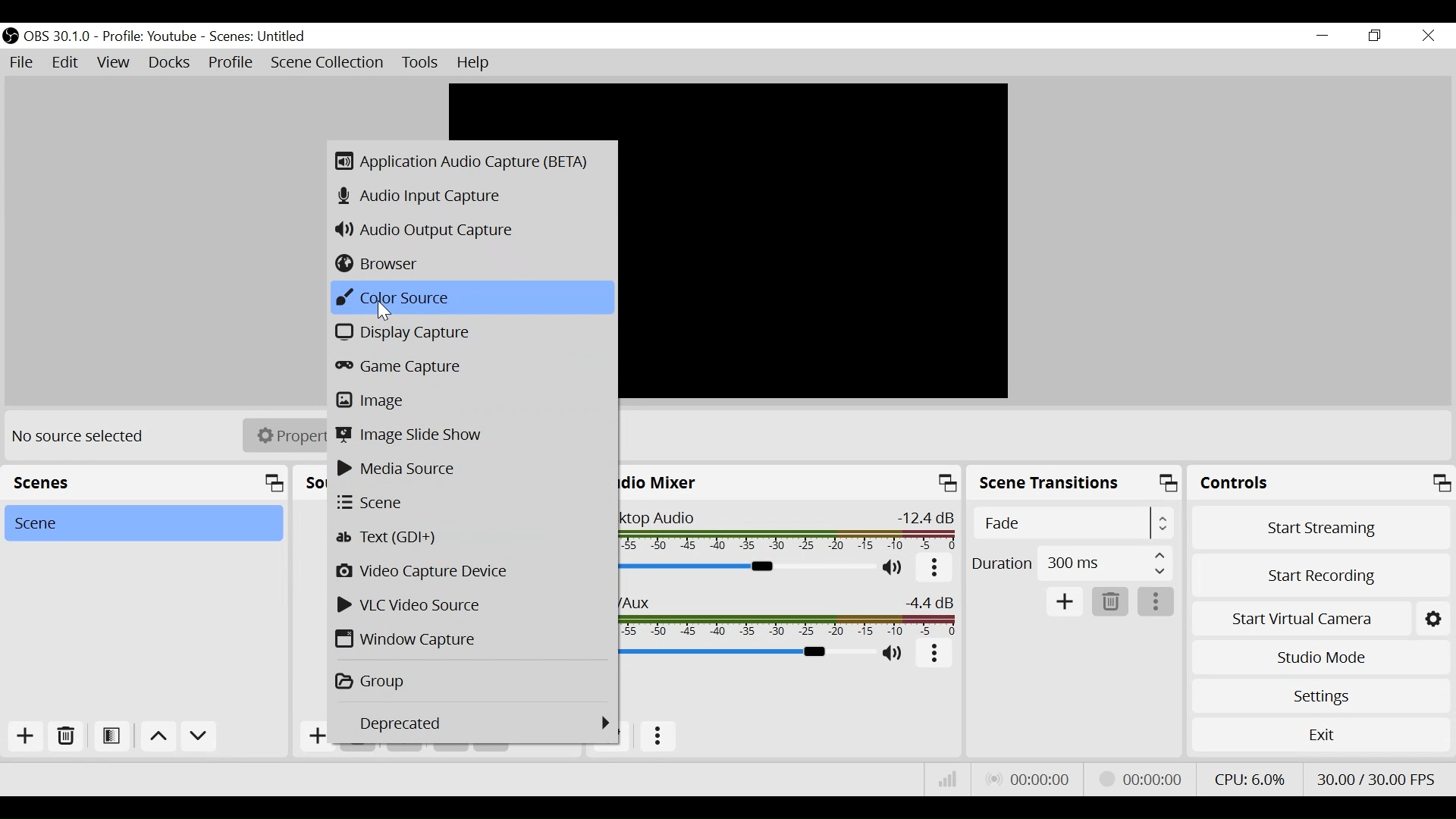  I want to click on Application Audio Capture (BETA), so click(471, 160).